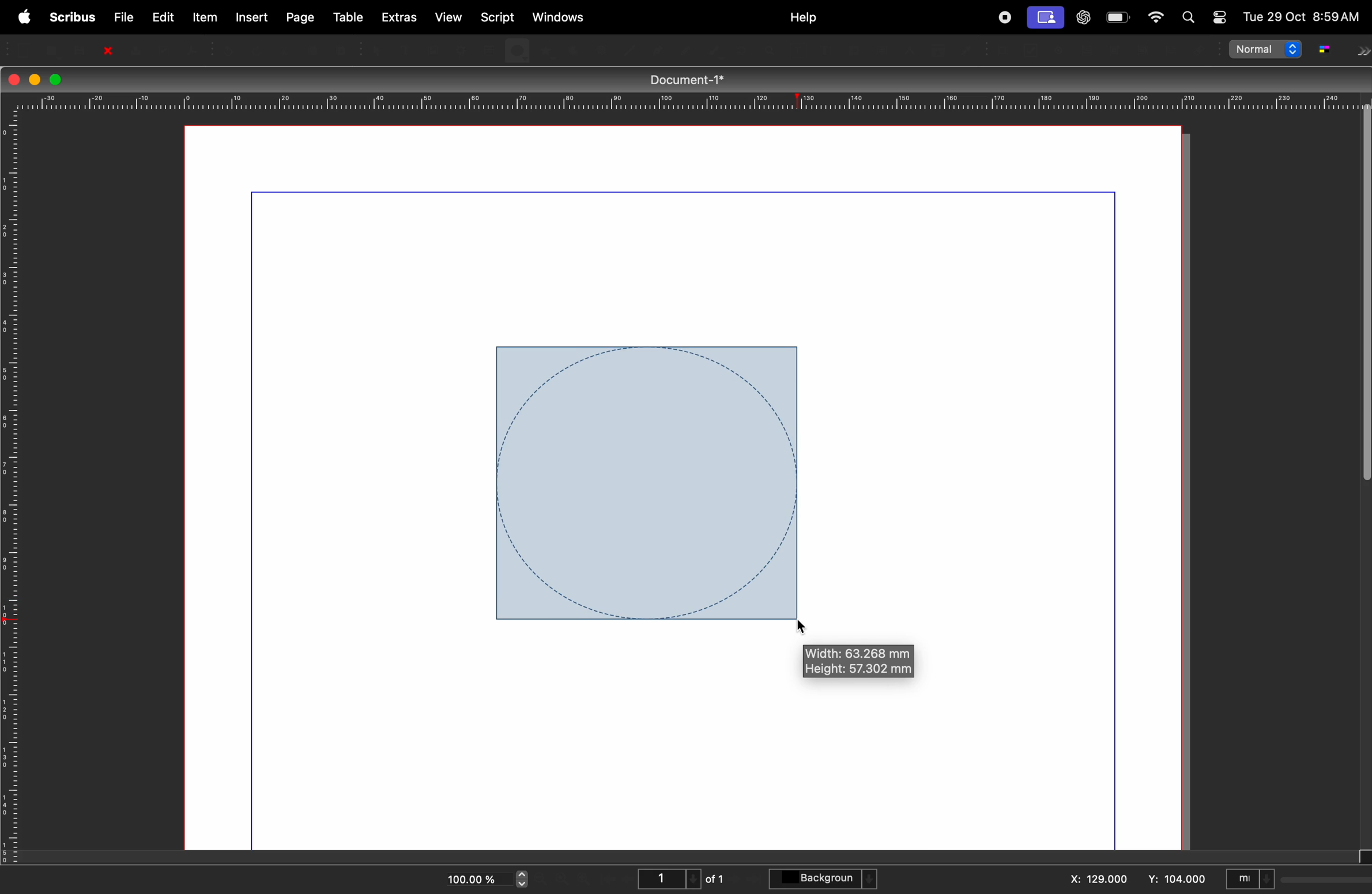 The image size is (1372, 894). I want to click on horrizontal scale, so click(681, 101).